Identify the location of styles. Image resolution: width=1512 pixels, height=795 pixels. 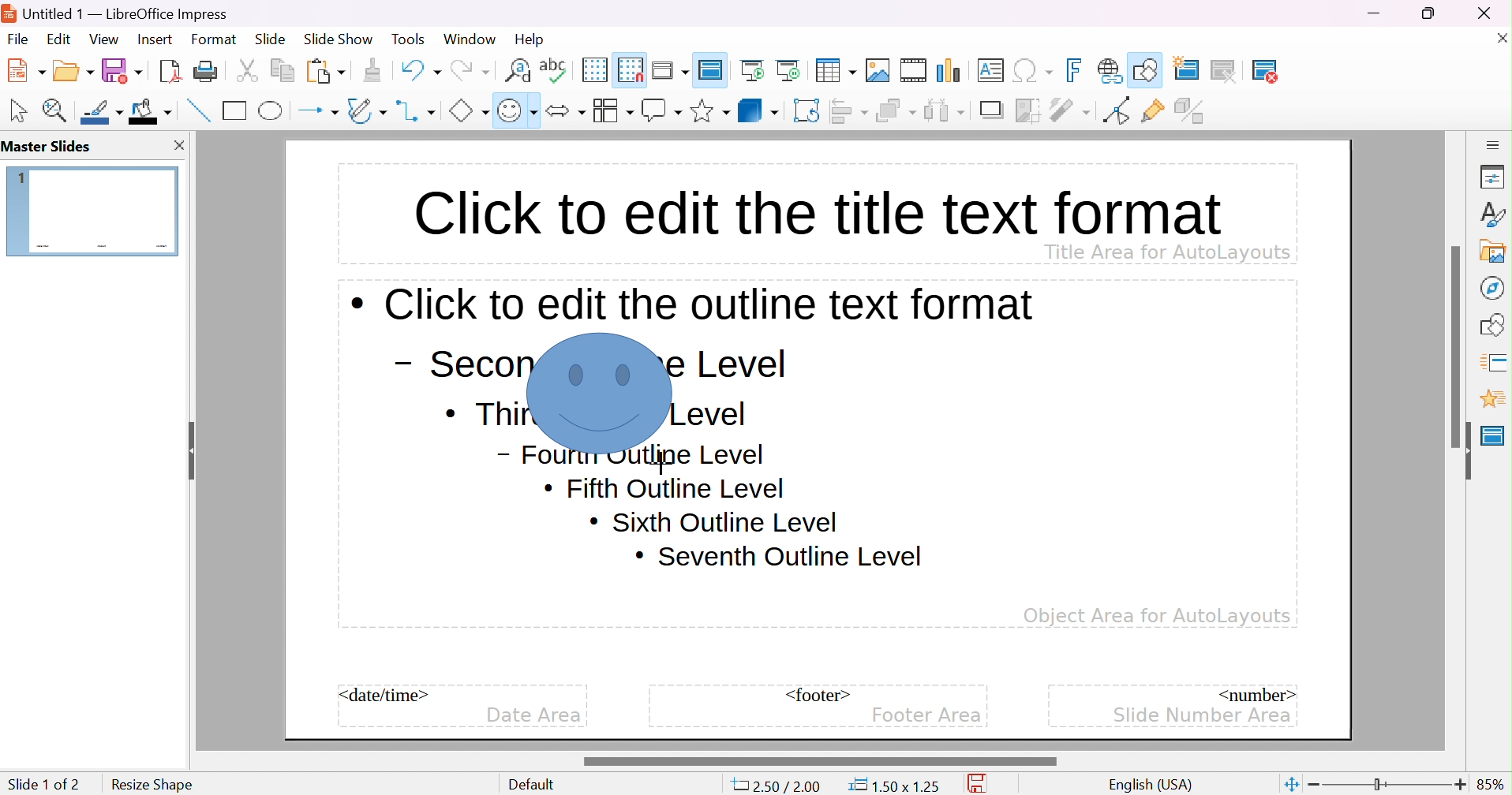
(1494, 214).